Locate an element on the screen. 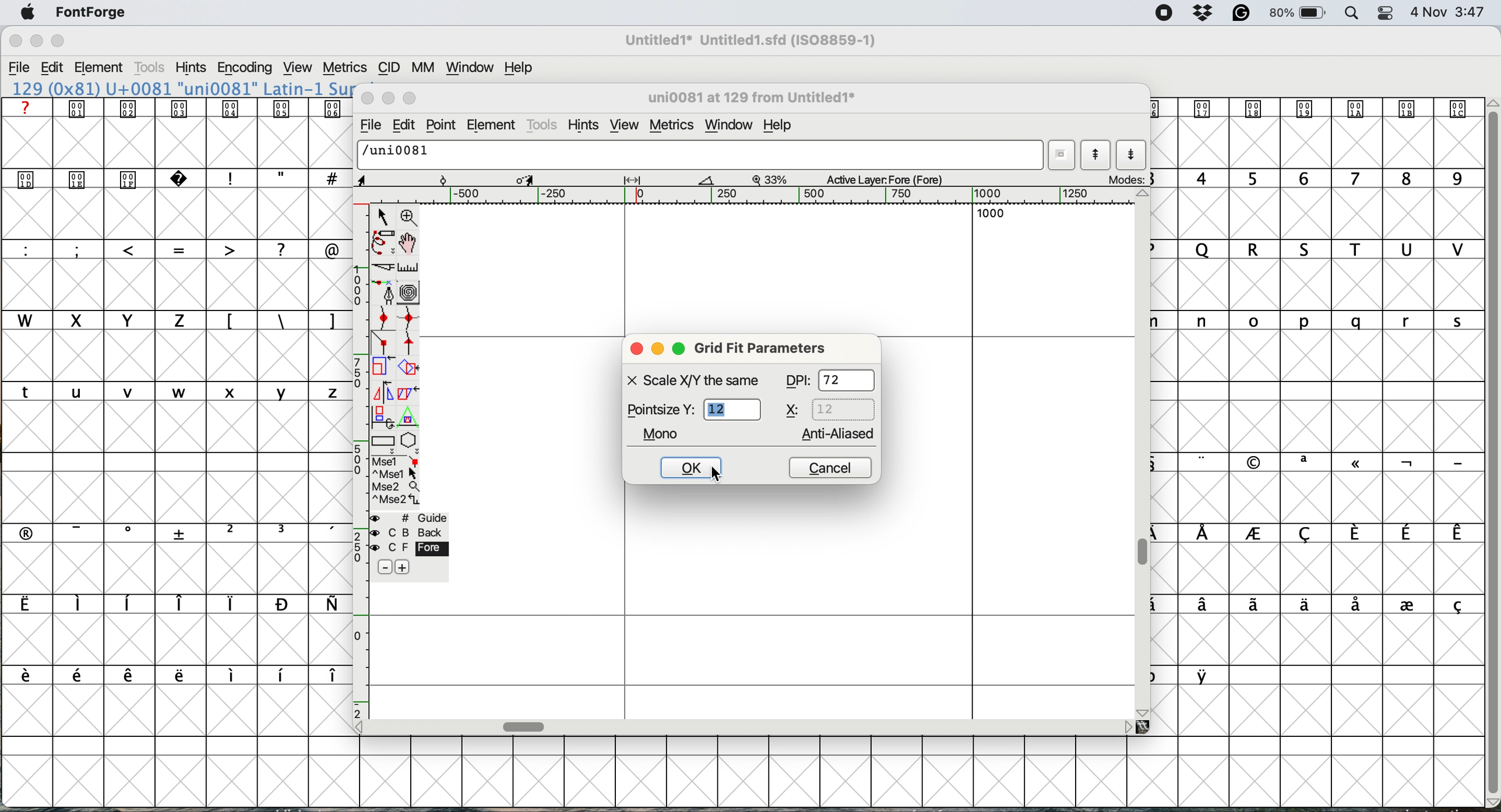 Image resolution: width=1501 pixels, height=812 pixels. maximise is located at coordinates (409, 98).